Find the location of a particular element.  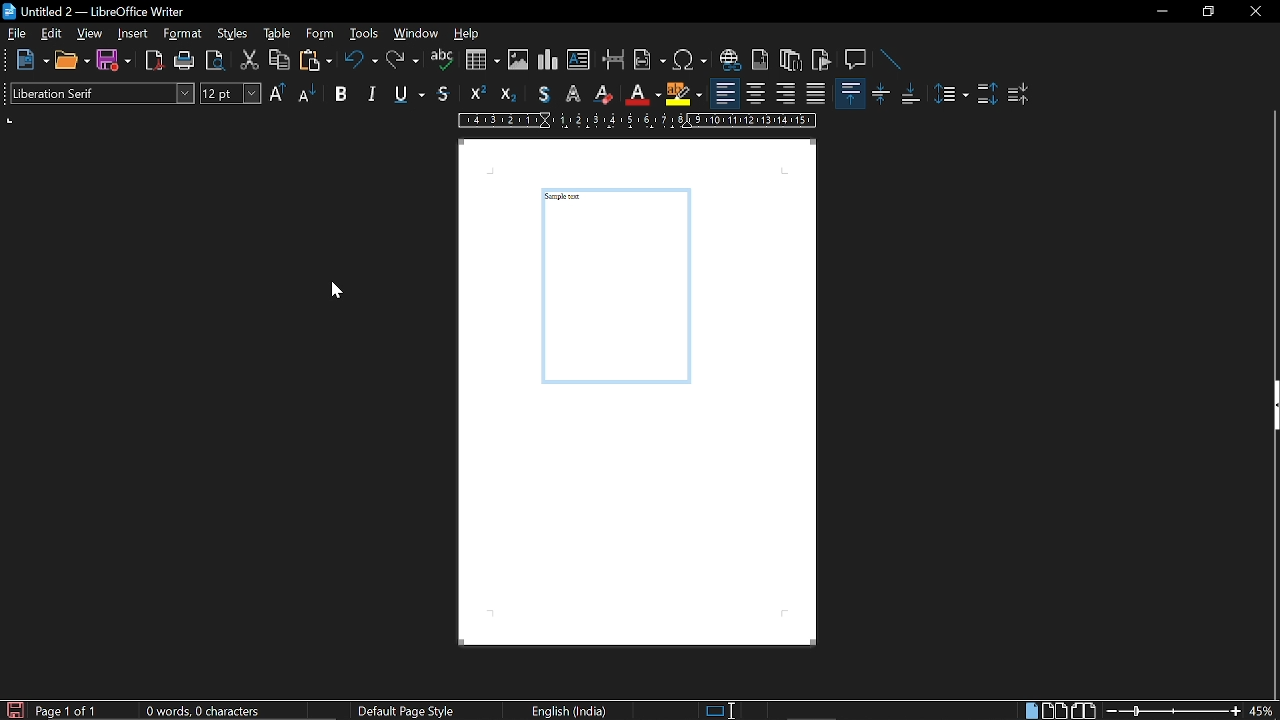

table is located at coordinates (276, 34).